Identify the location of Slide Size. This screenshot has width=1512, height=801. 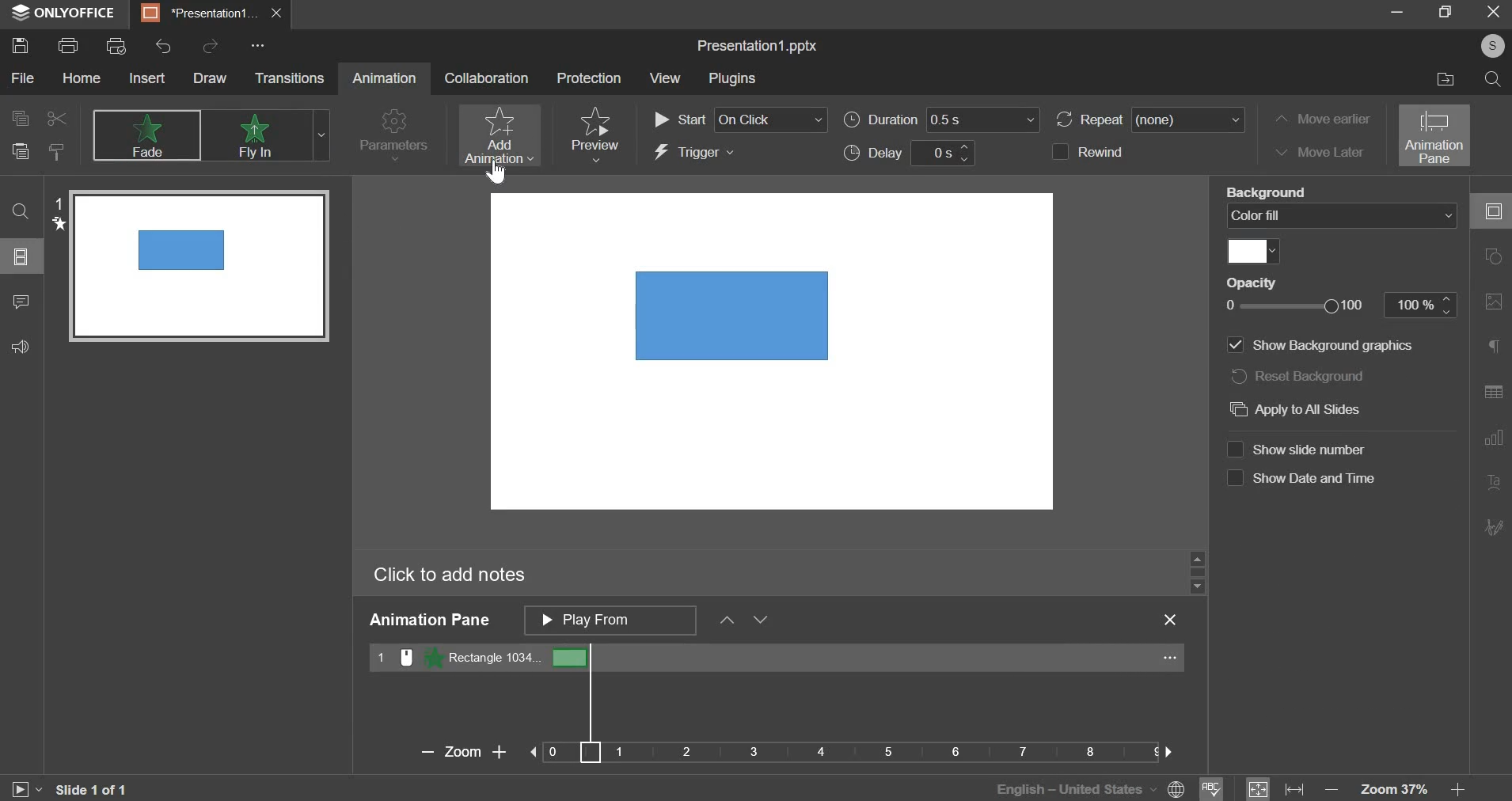
(1496, 346).